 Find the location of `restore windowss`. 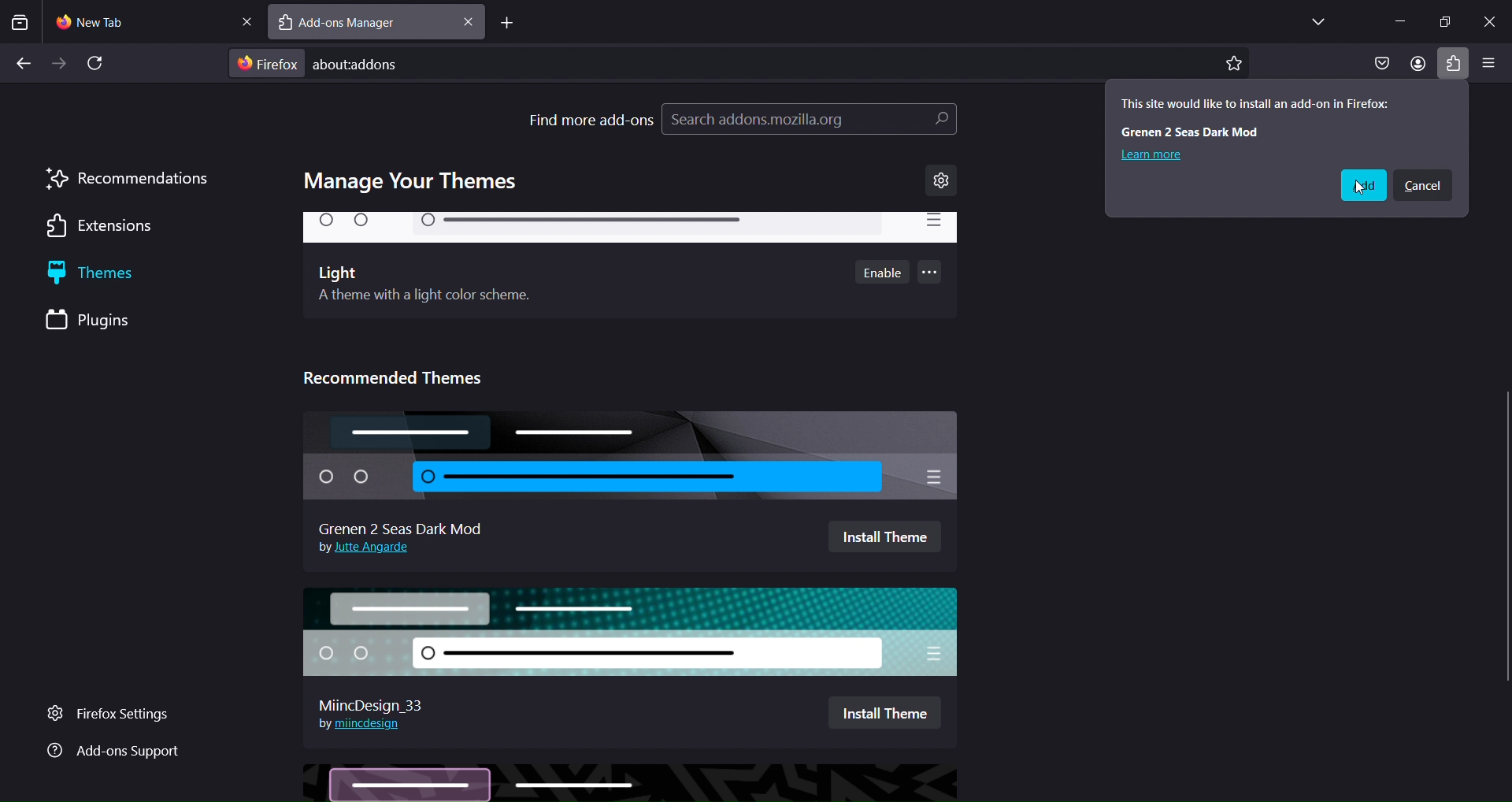

restore windowss is located at coordinates (1444, 20).